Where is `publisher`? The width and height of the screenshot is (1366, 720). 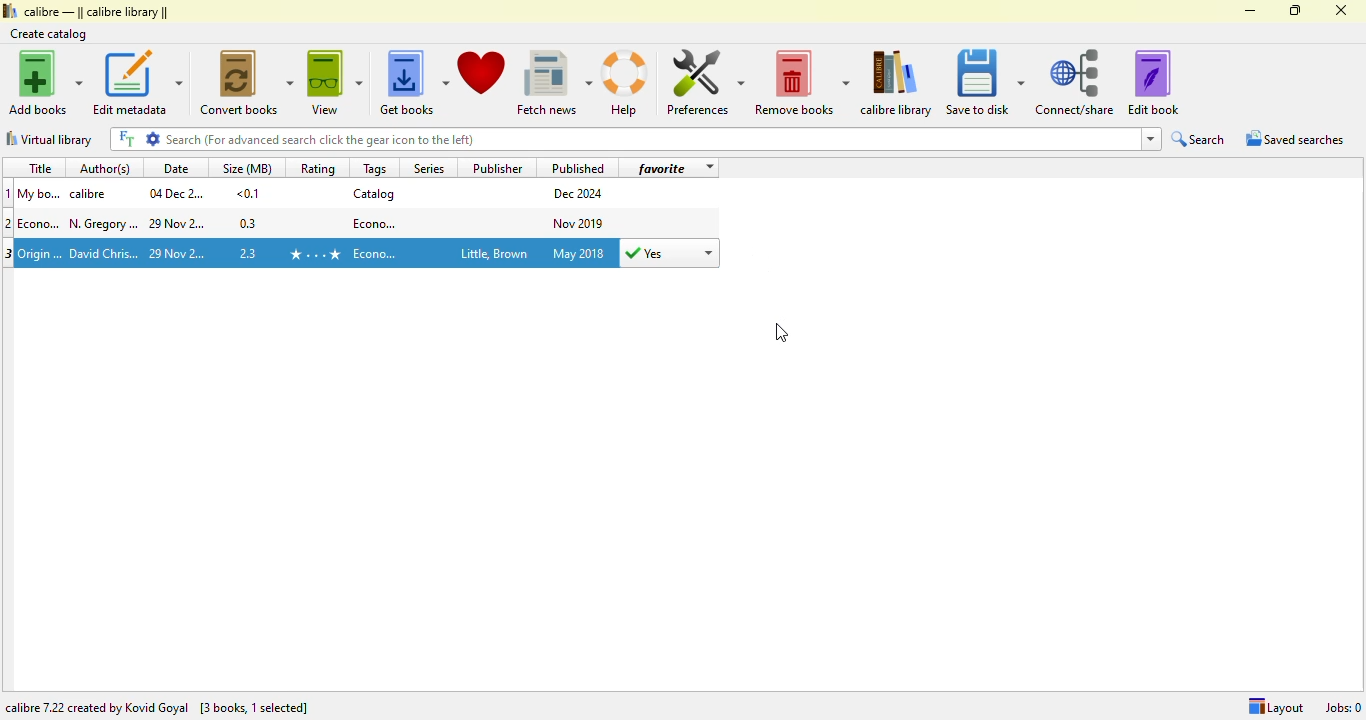 publisher is located at coordinates (499, 167).